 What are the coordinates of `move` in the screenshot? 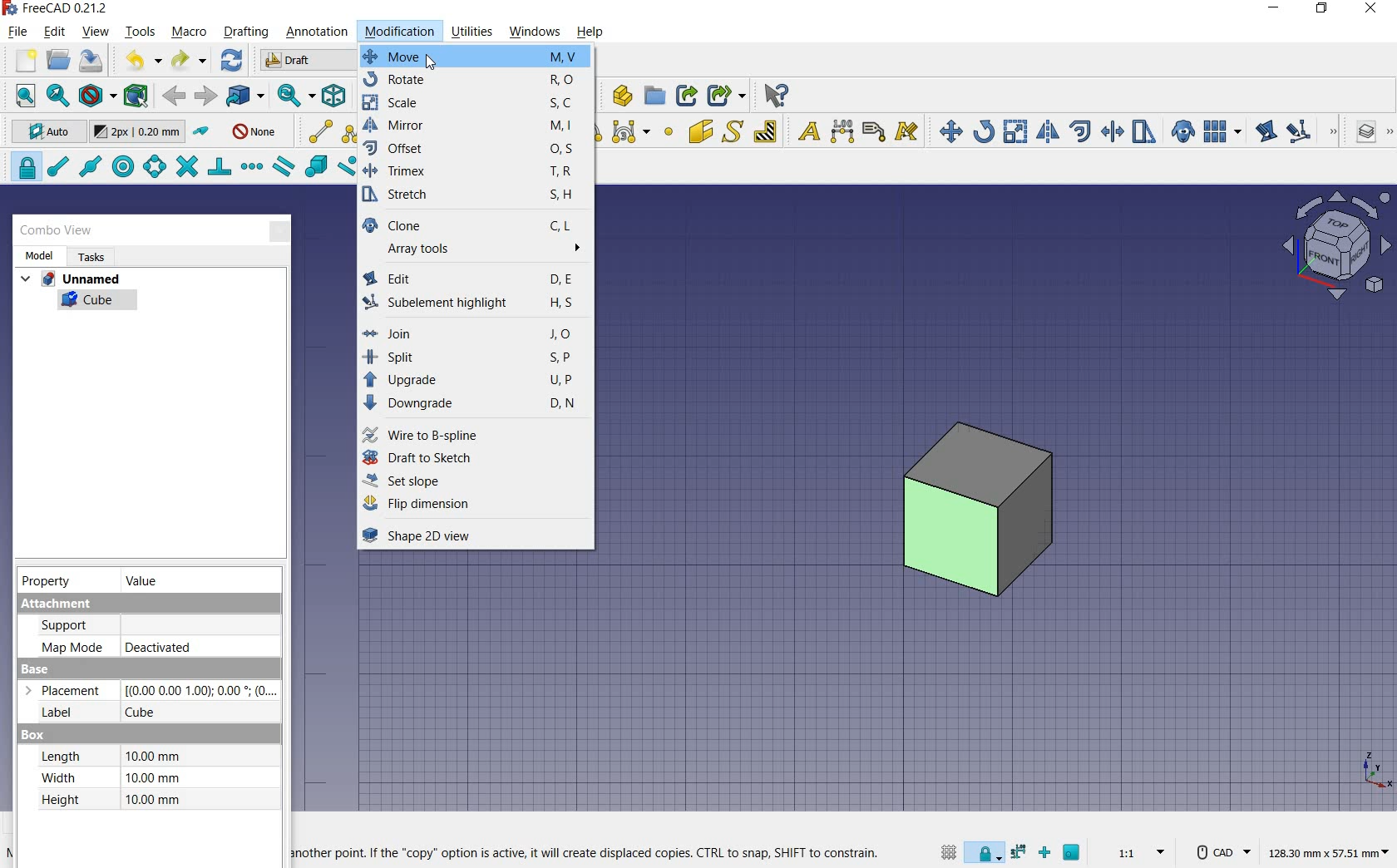 It's located at (947, 131).